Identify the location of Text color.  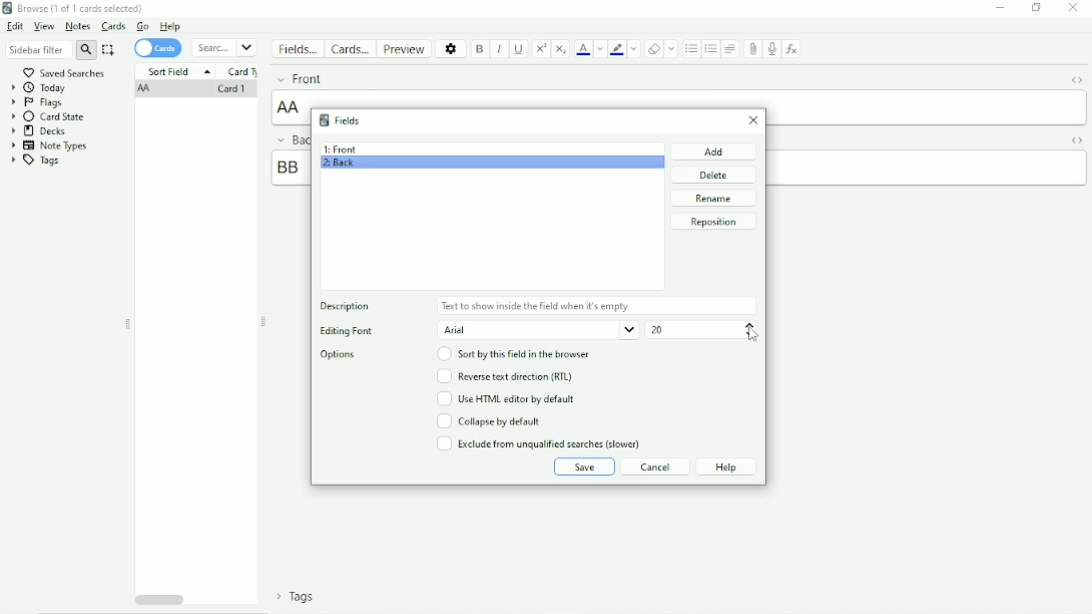
(583, 48).